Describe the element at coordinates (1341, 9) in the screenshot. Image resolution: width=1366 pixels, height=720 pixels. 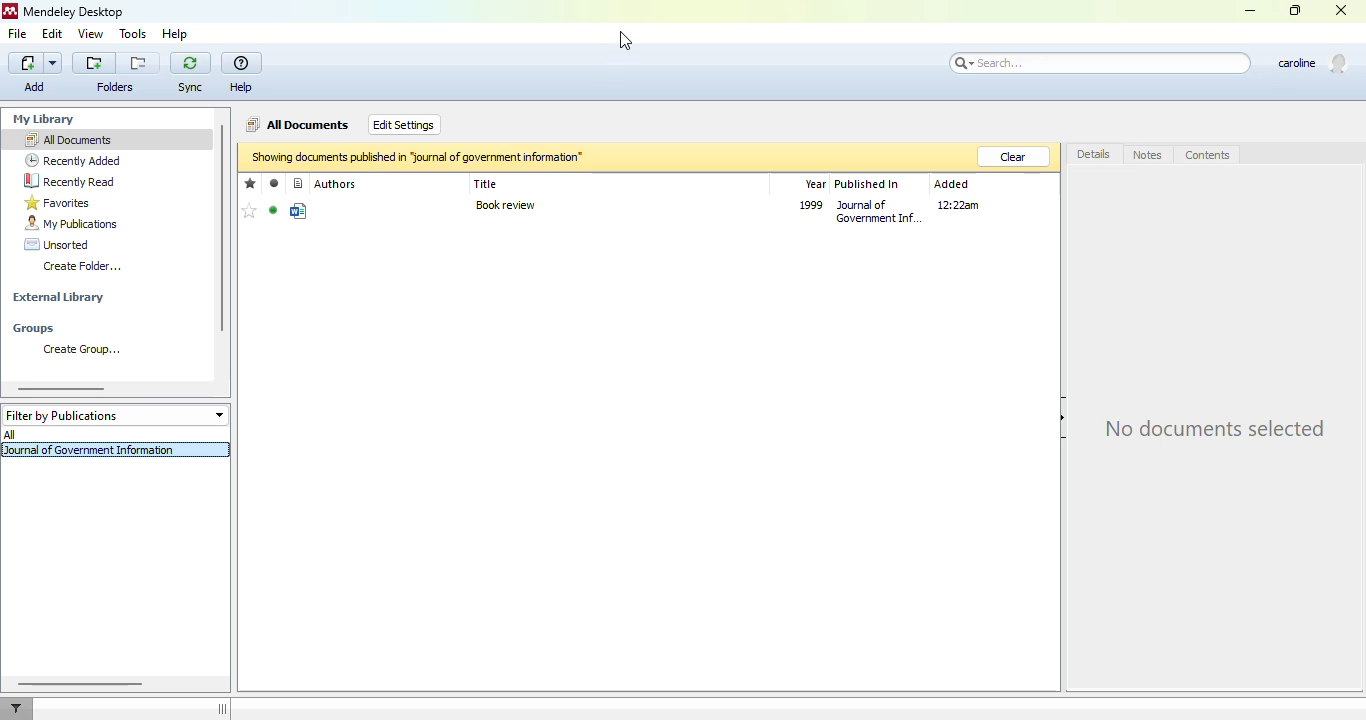
I see `close` at that location.